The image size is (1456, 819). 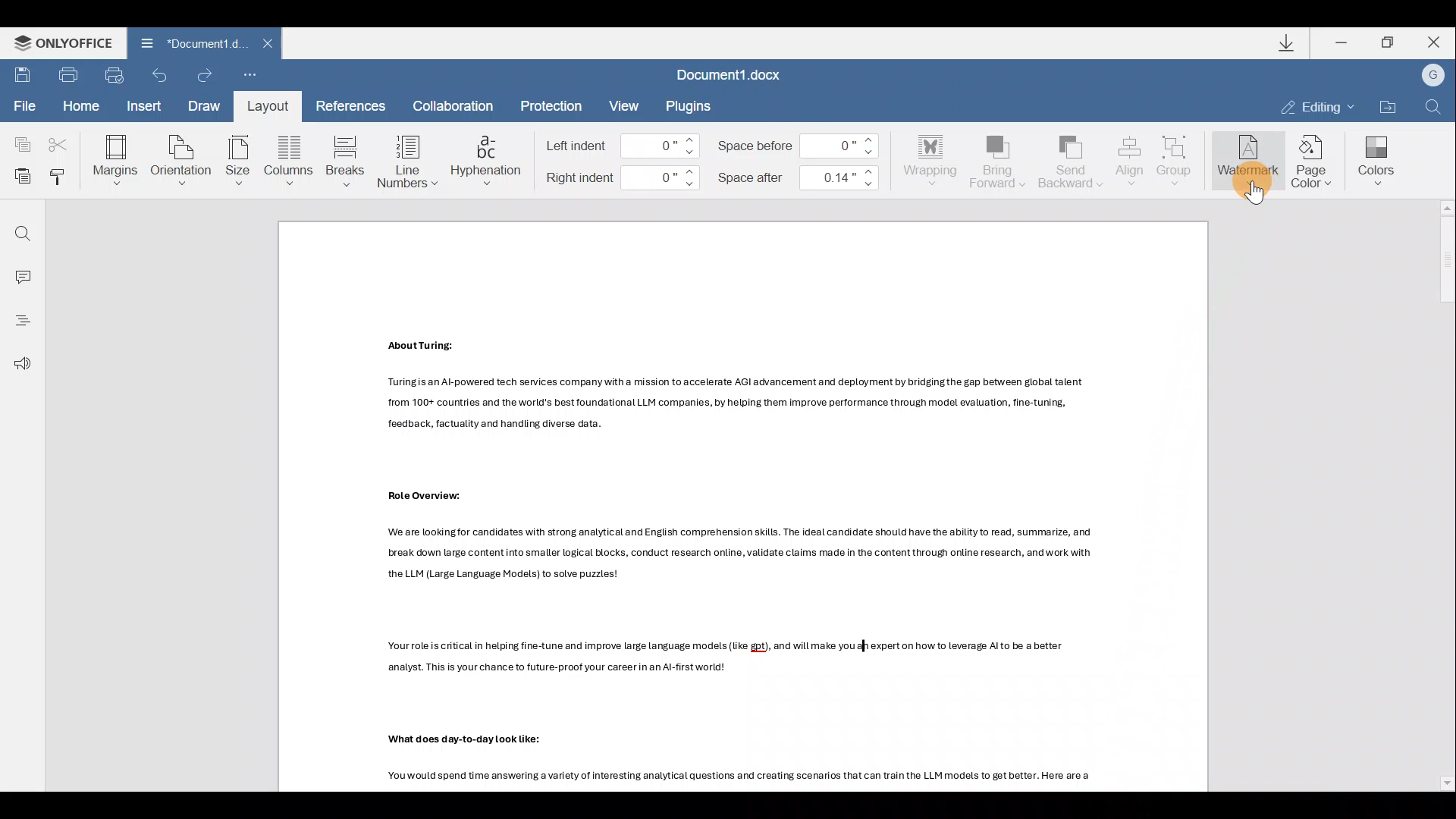 I want to click on Close, so click(x=1432, y=42).